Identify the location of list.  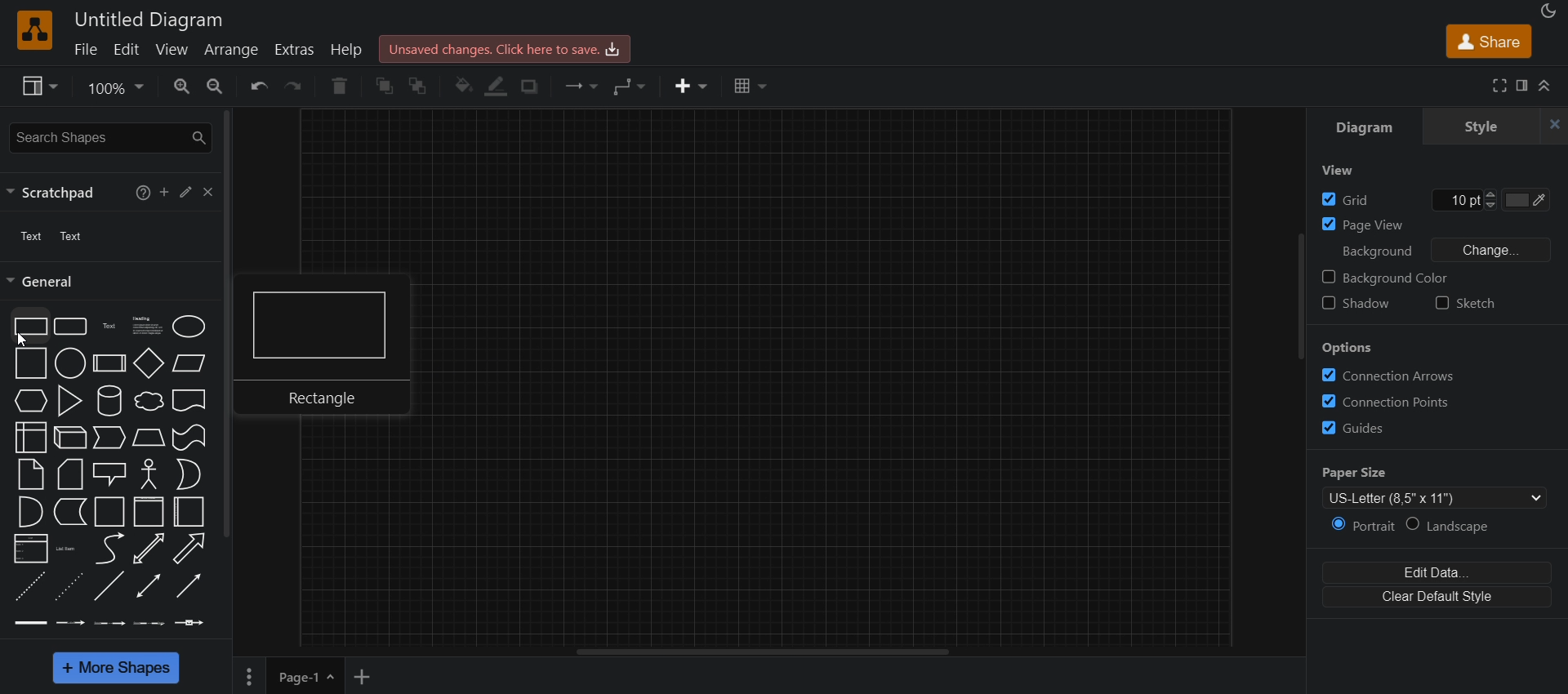
(30, 551).